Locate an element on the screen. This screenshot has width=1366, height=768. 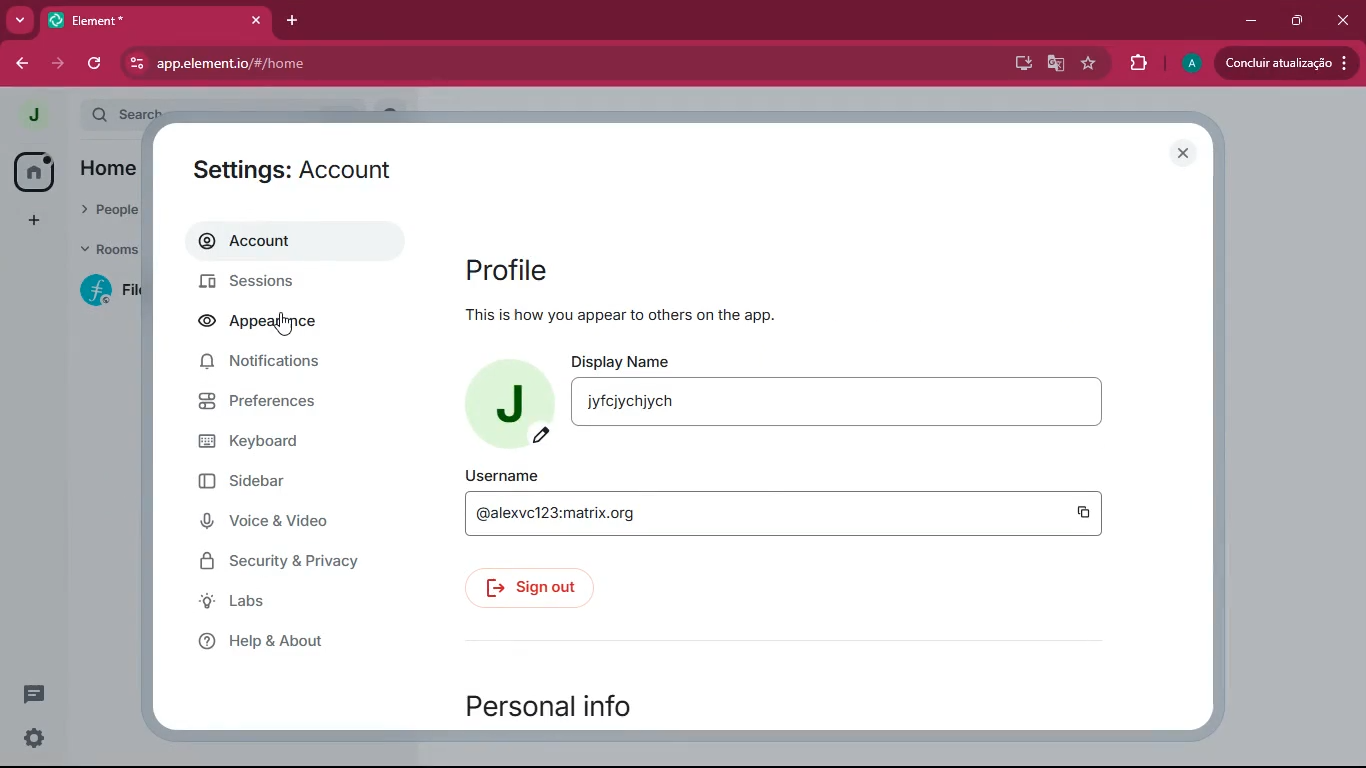
home is located at coordinates (33, 171).